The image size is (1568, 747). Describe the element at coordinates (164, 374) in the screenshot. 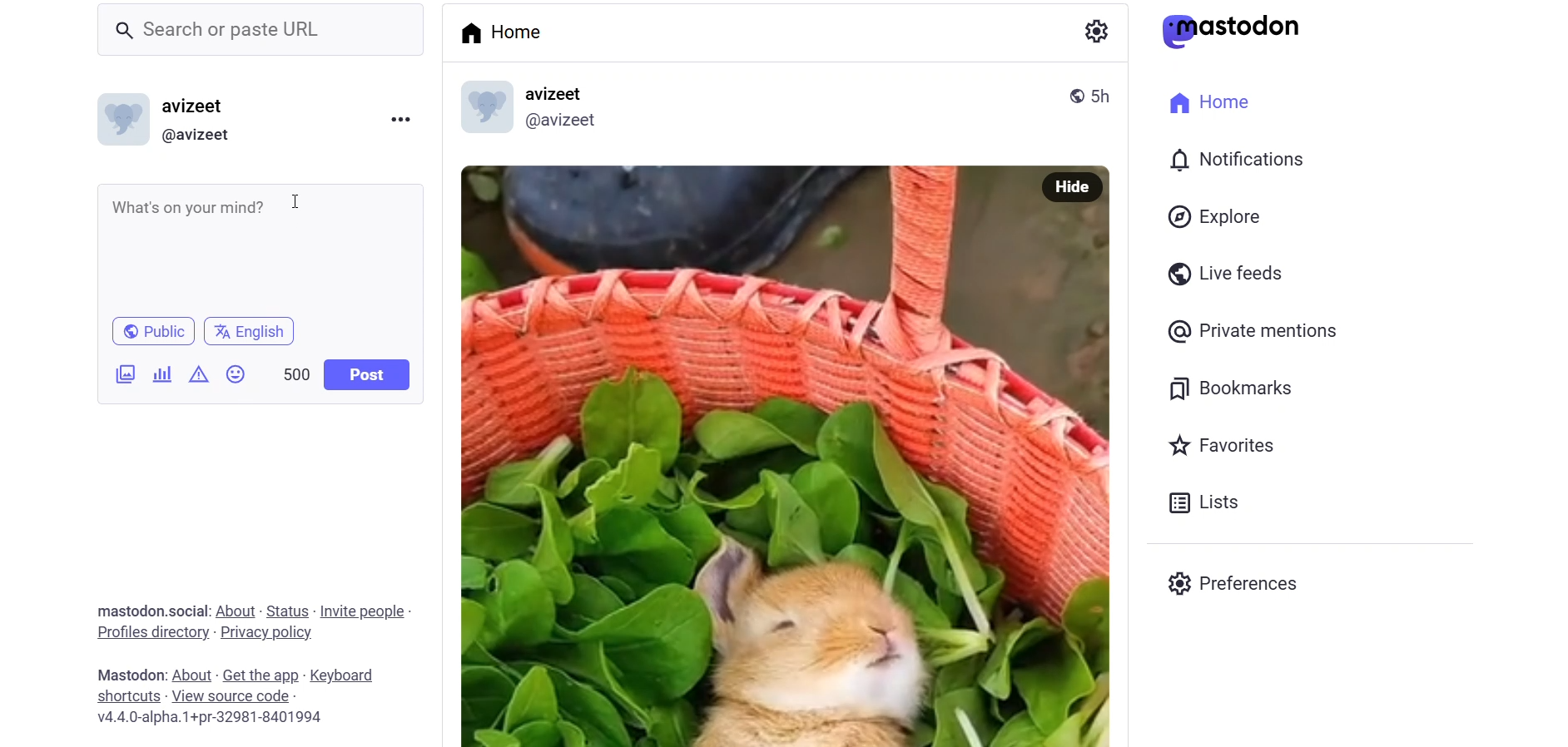

I see `poll` at that location.